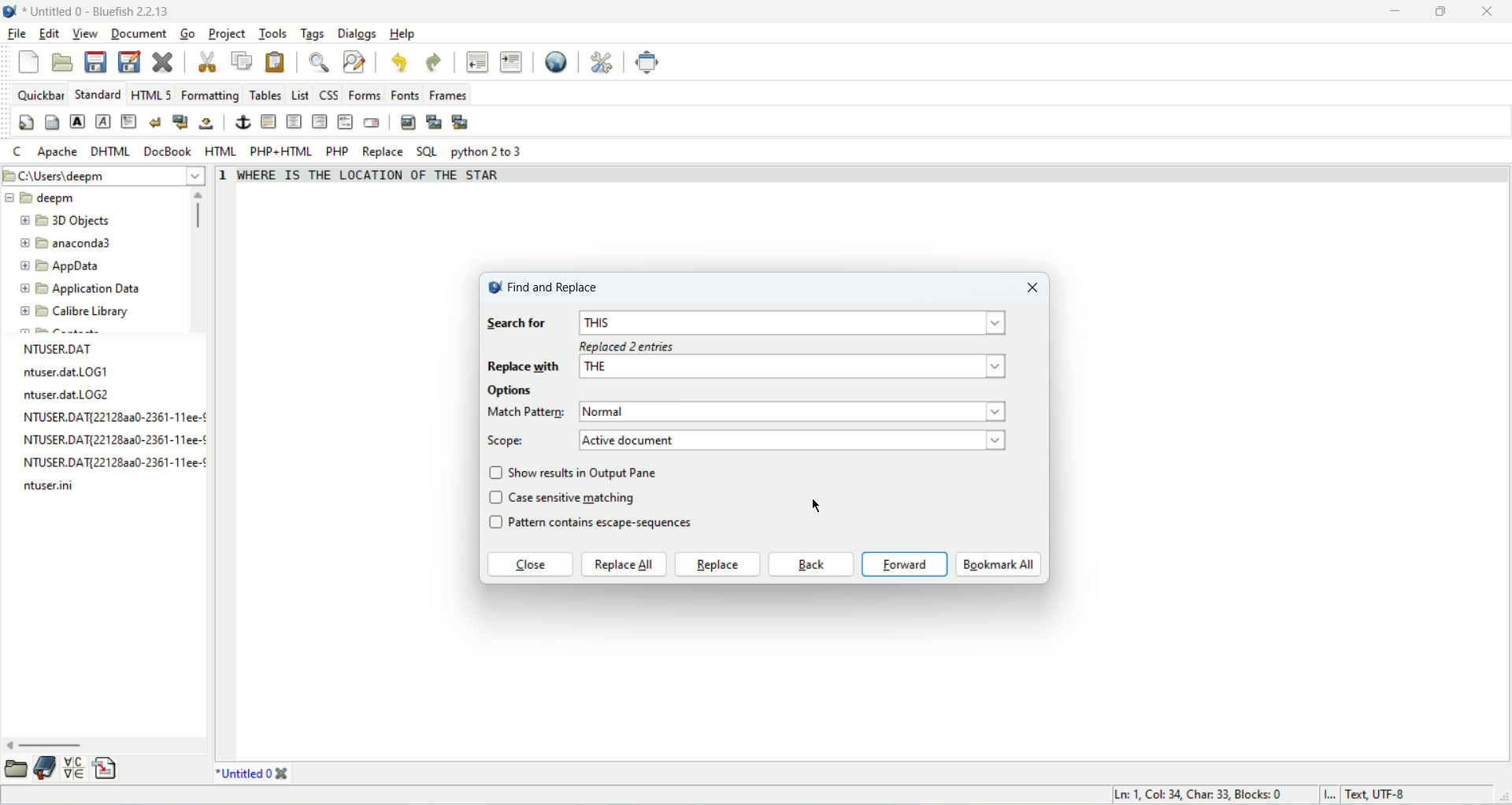 This screenshot has width=1512, height=805. Describe the element at coordinates (50, 484) in the screenshot. I see `file name` at that location.